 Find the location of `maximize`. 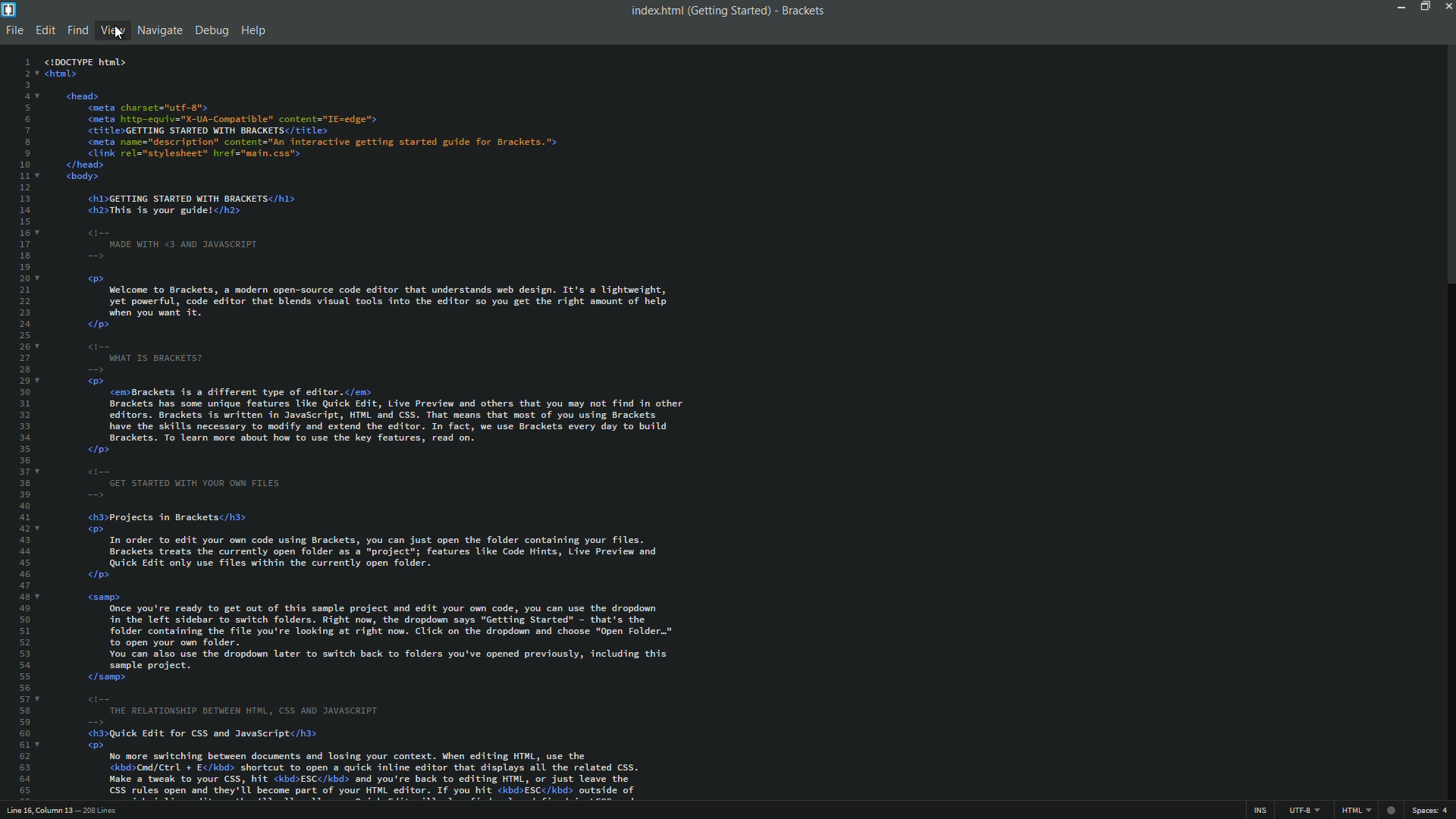

maximize is located at coordinates (1422, 6).